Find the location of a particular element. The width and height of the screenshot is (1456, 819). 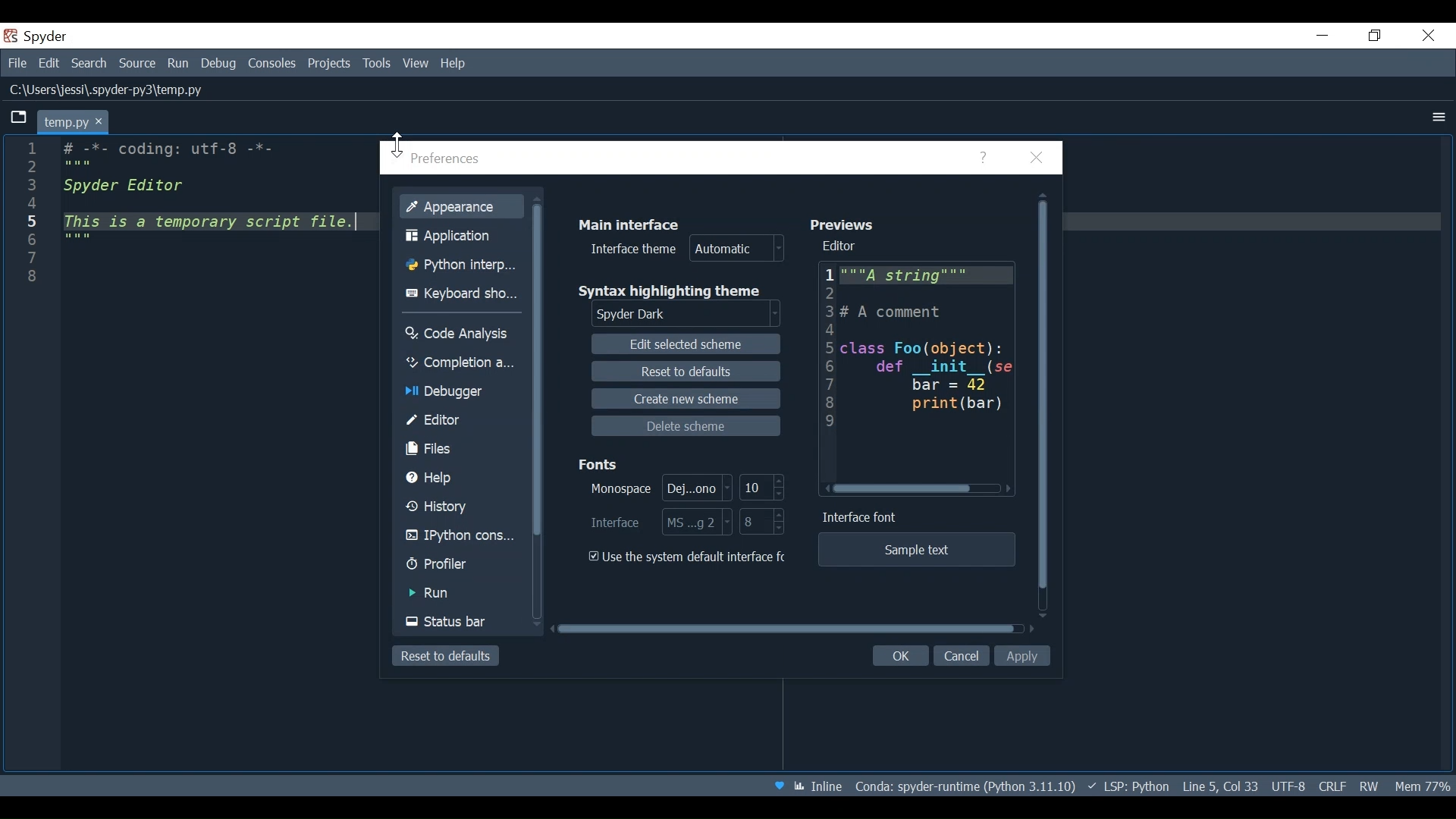

Preference is located at coordinates (443, 159).